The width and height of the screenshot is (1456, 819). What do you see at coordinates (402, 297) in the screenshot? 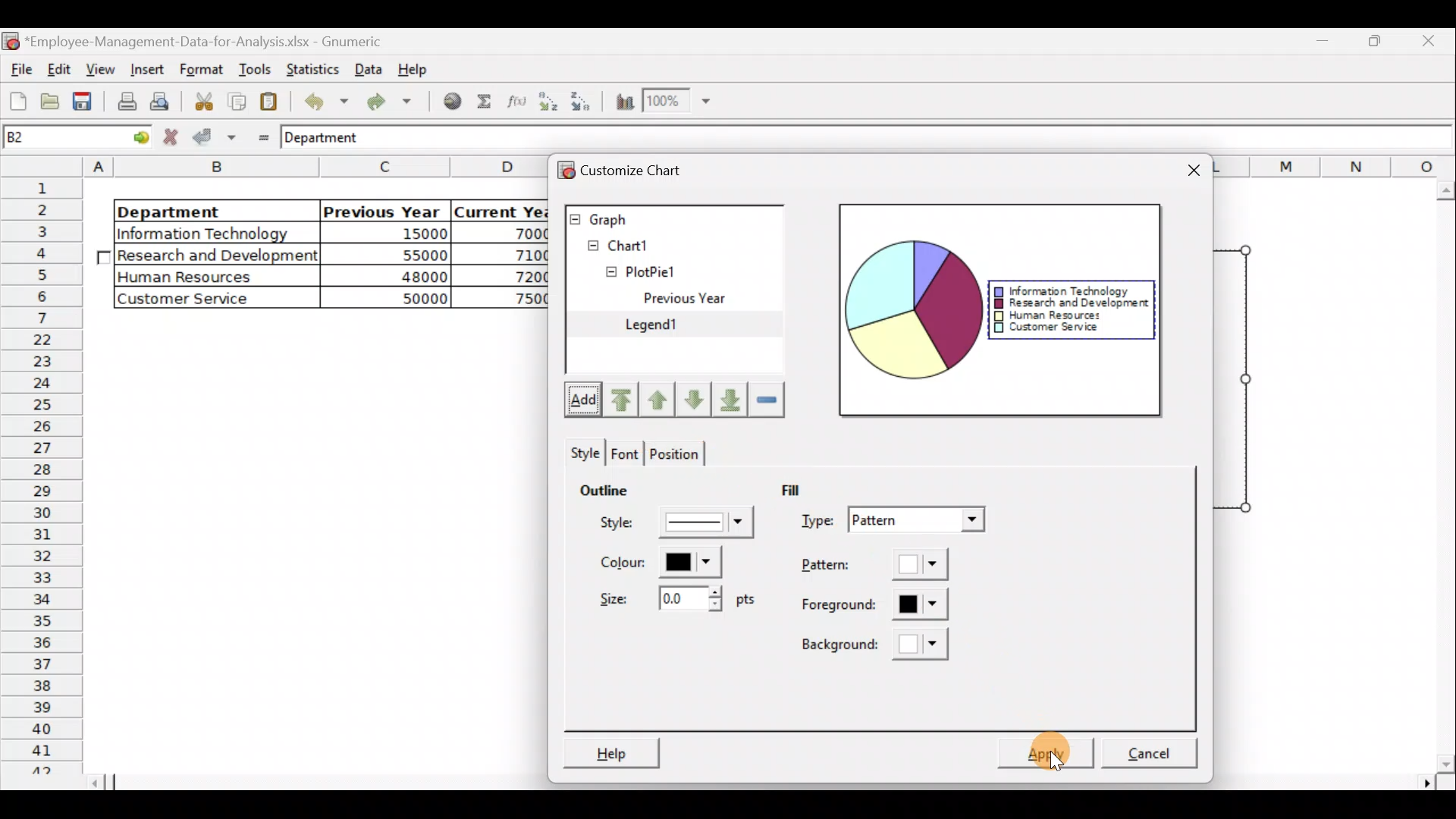
I see `50000` at bounding box center [402, 297].